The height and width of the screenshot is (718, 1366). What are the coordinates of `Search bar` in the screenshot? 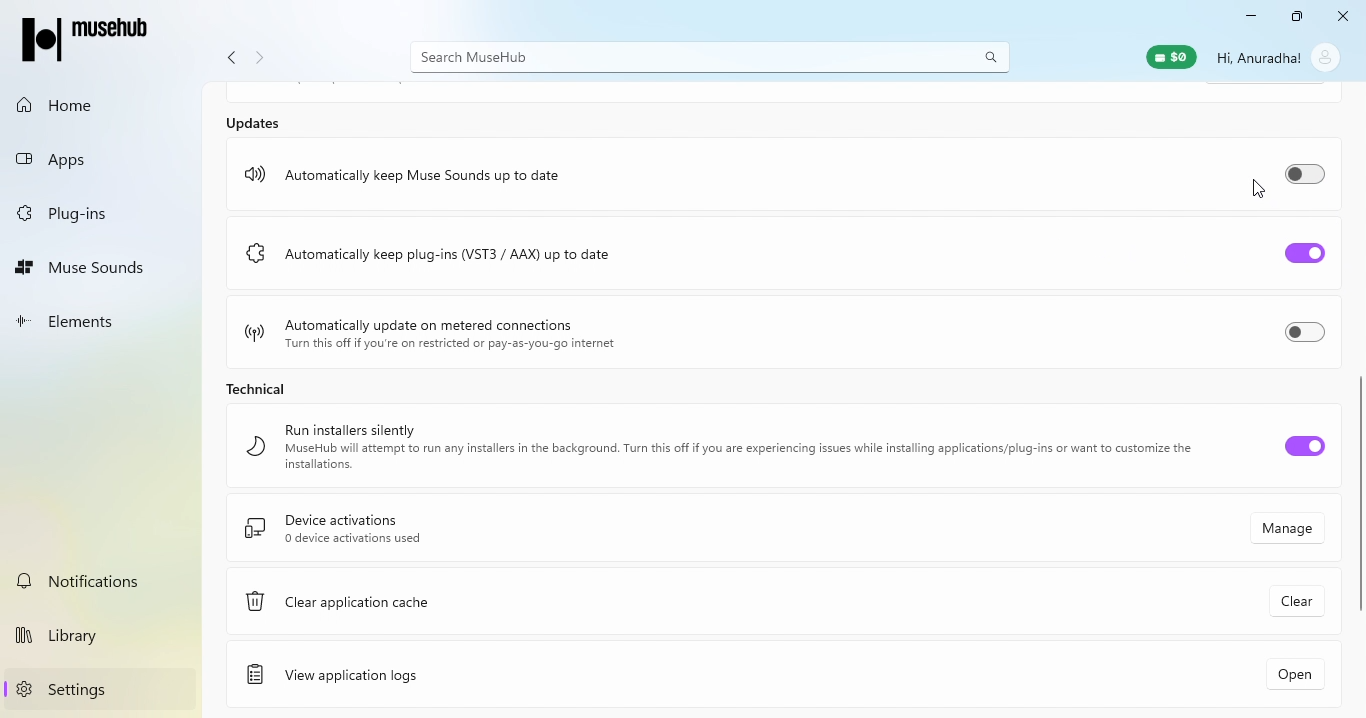 It's located at (710, 56).